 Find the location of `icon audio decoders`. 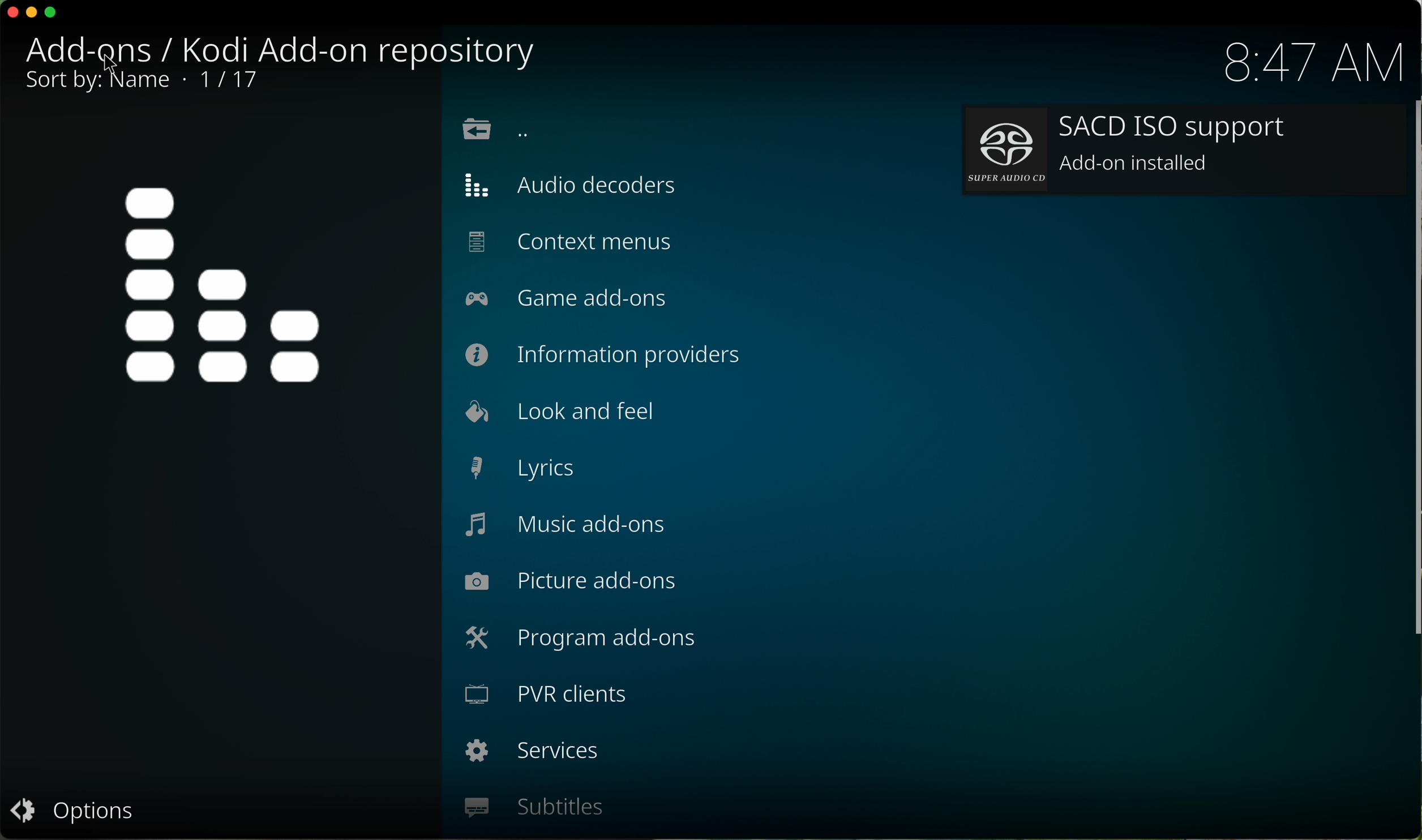

icon audio decoders is located at coordinates (226, 285).